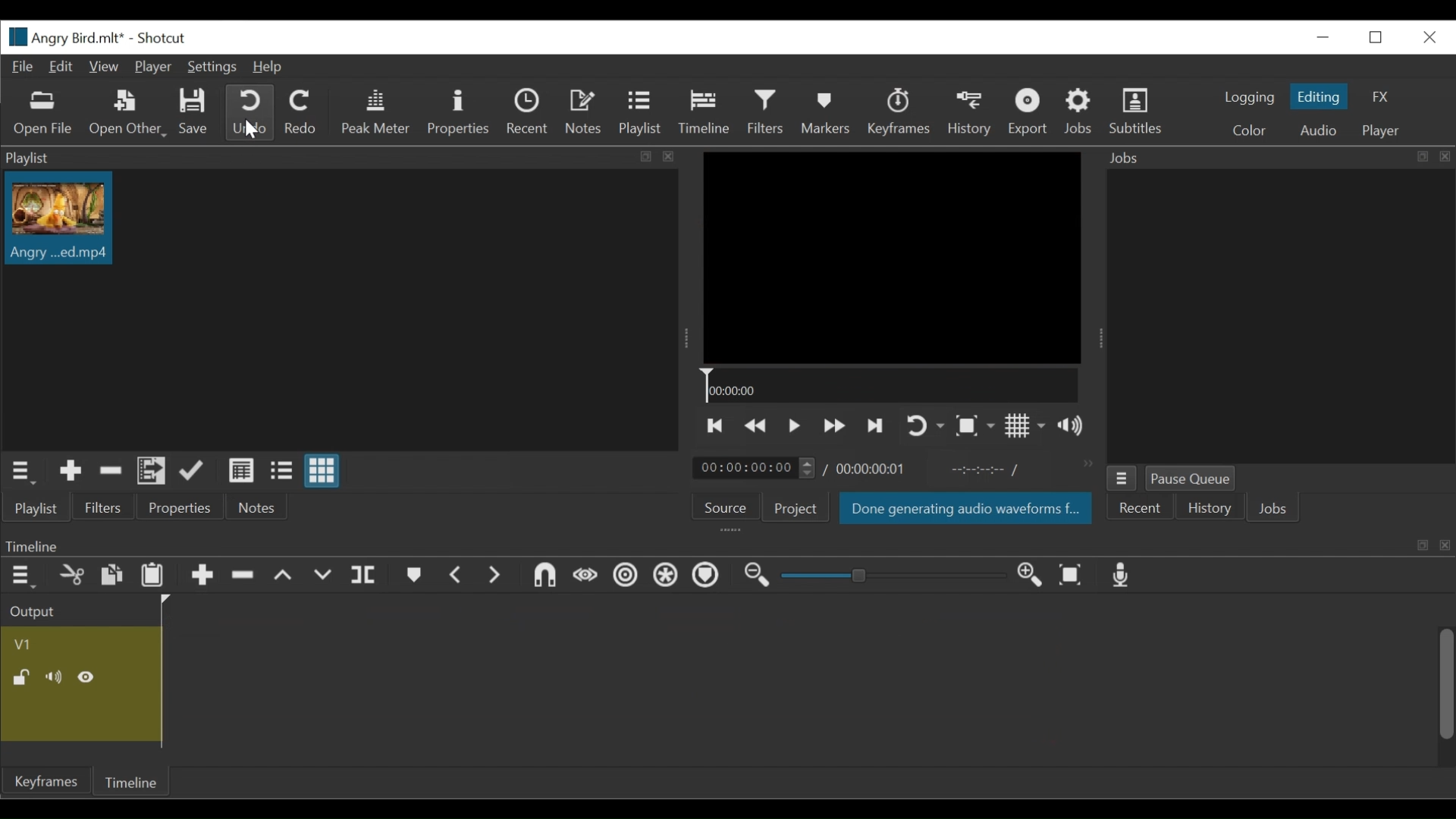 This screenshot has width=1456, height=819. What do you see at coordinates (894, 257) in the screenshot?
I see `Media Viewer` at bounding box center [894, 257].